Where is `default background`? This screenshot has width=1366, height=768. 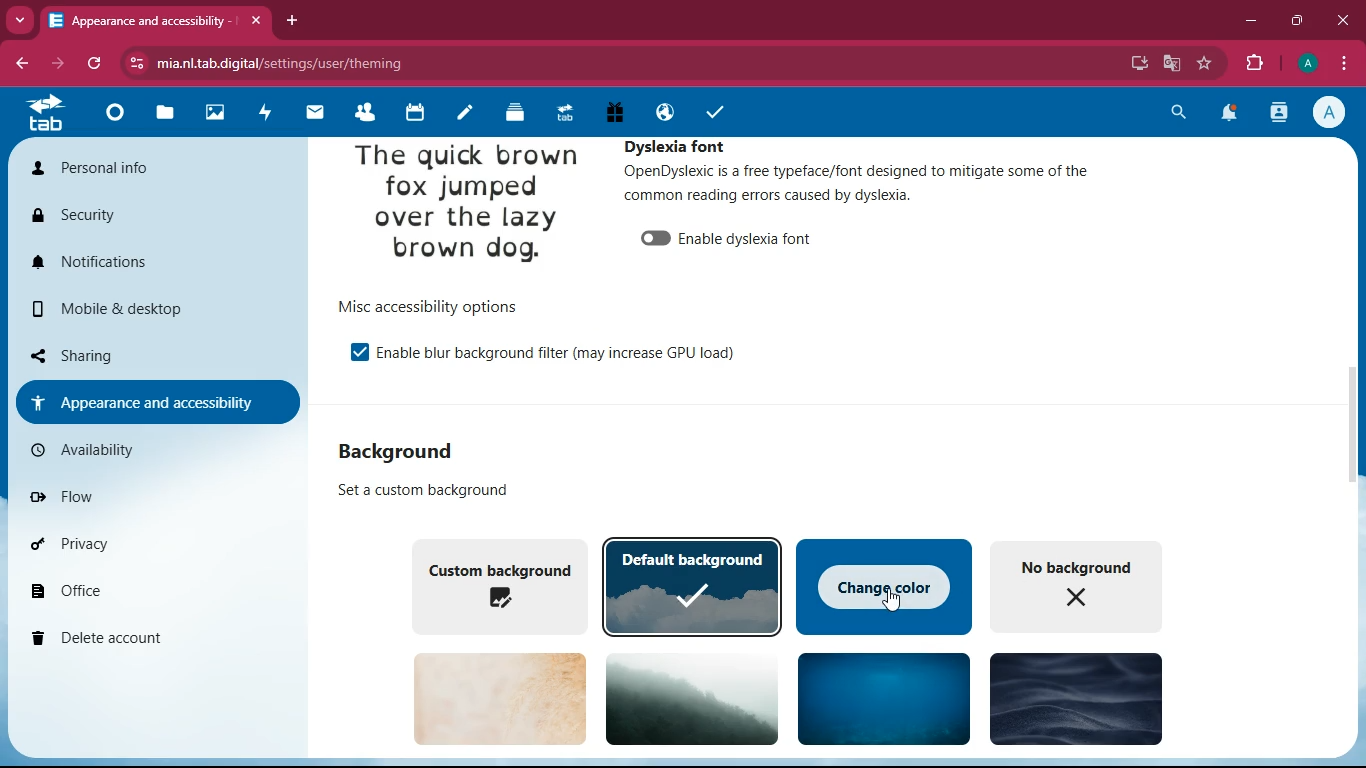 default background is located at coordinates (694, 586).